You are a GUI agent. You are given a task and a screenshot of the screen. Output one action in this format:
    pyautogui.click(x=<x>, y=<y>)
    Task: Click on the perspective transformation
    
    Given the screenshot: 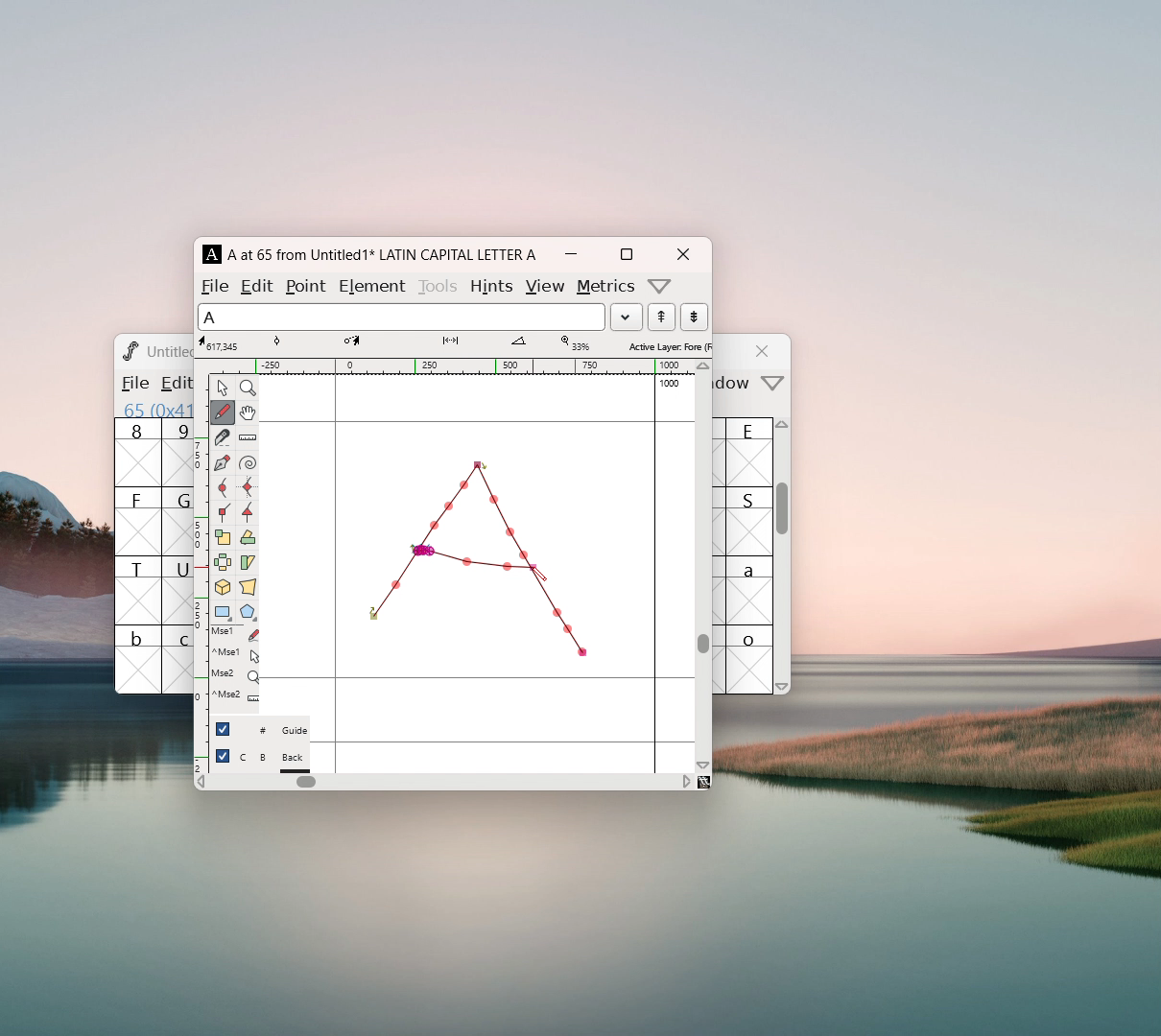 What is the action you would take?
    pyautogui.click(x=248, y=589)
    